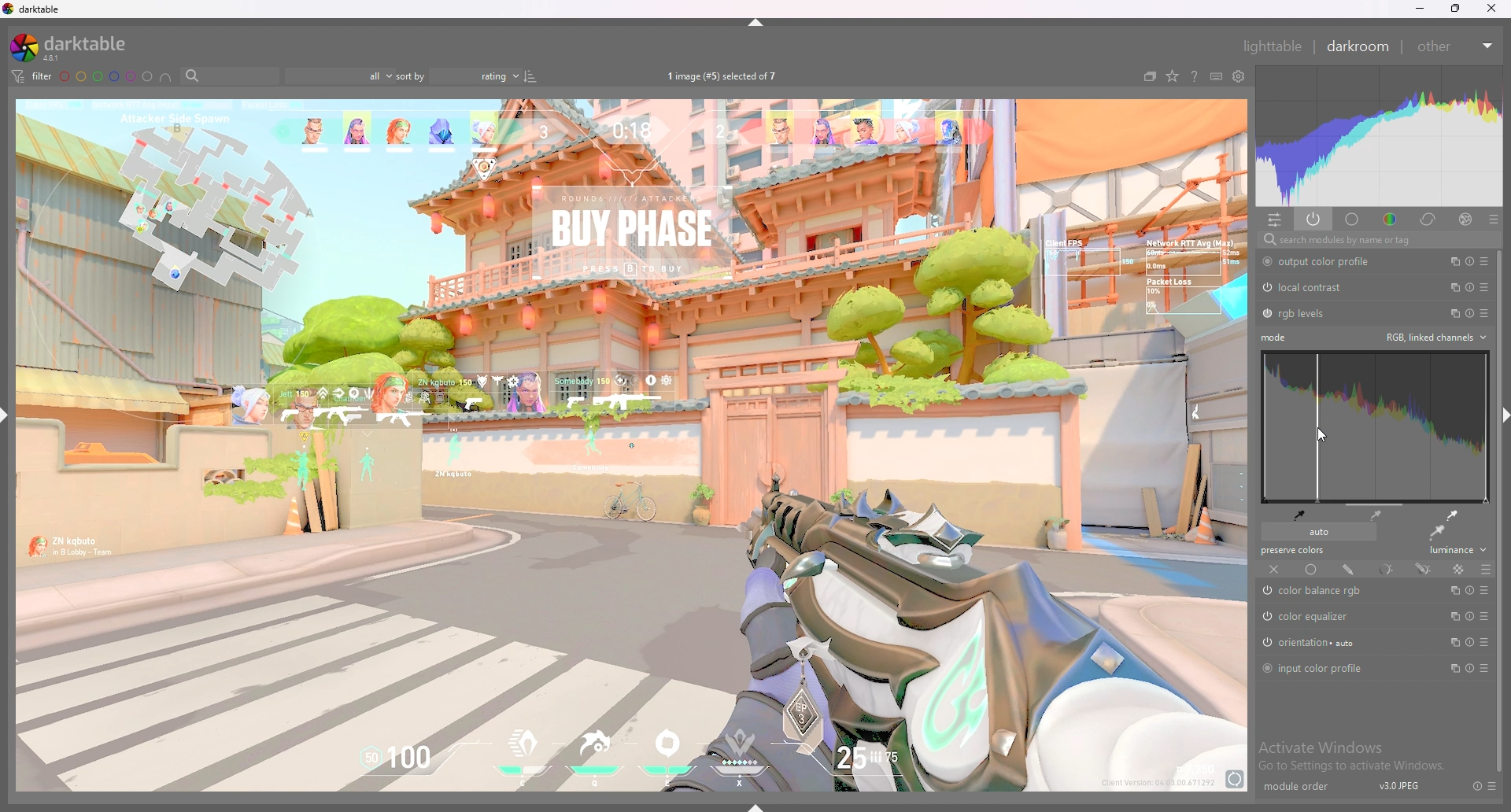 Image resolution: width=1511 pixels, height=812 pixels. What do you see at coordinates (34, 9) in the screenshot?
I see `darktable` at bounding box center [34, 9].